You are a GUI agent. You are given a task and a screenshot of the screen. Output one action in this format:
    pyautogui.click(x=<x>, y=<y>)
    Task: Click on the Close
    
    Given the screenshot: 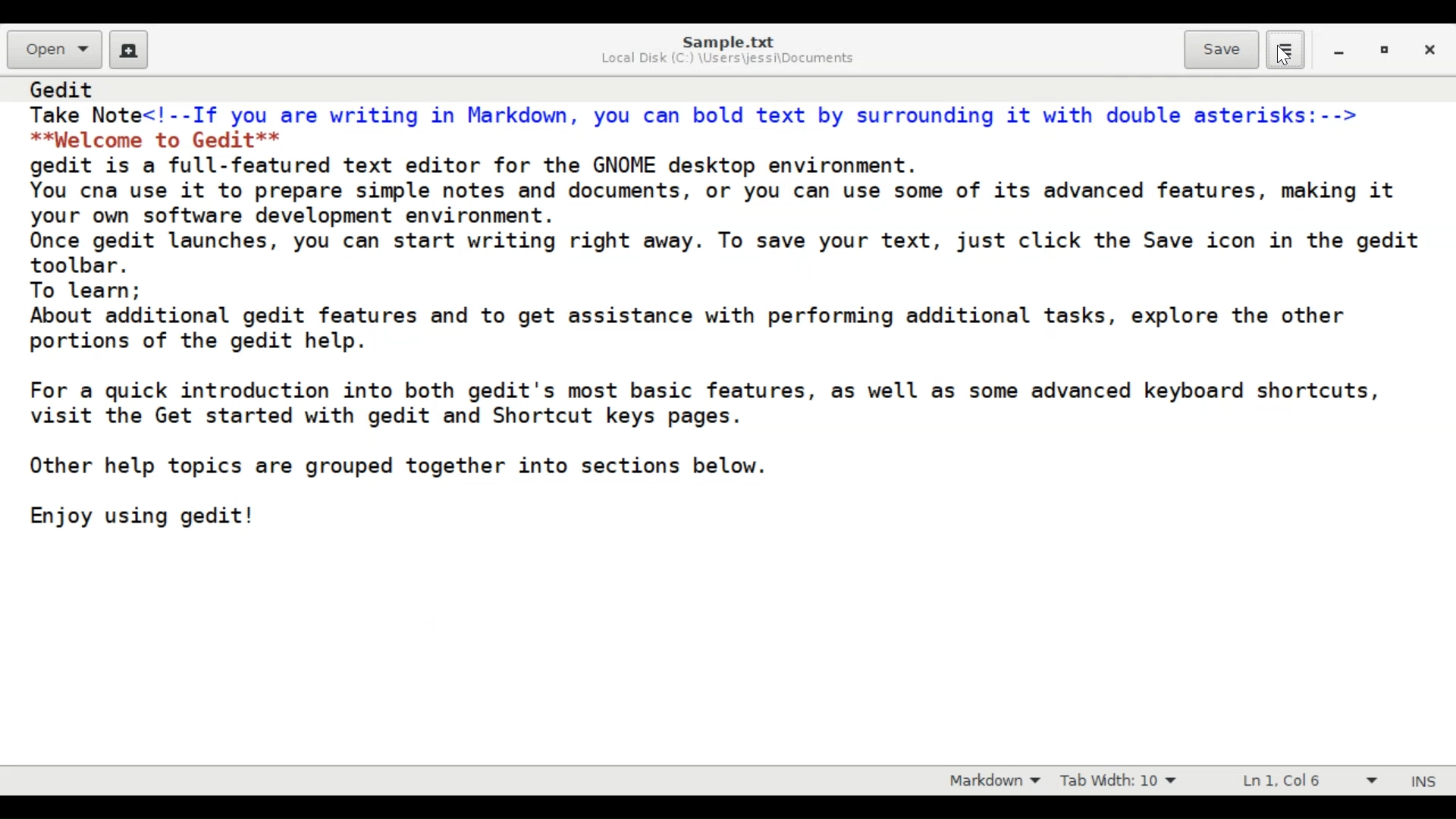 What is the action you would take?
    pyautogui.click(x=1432, y=52)
    